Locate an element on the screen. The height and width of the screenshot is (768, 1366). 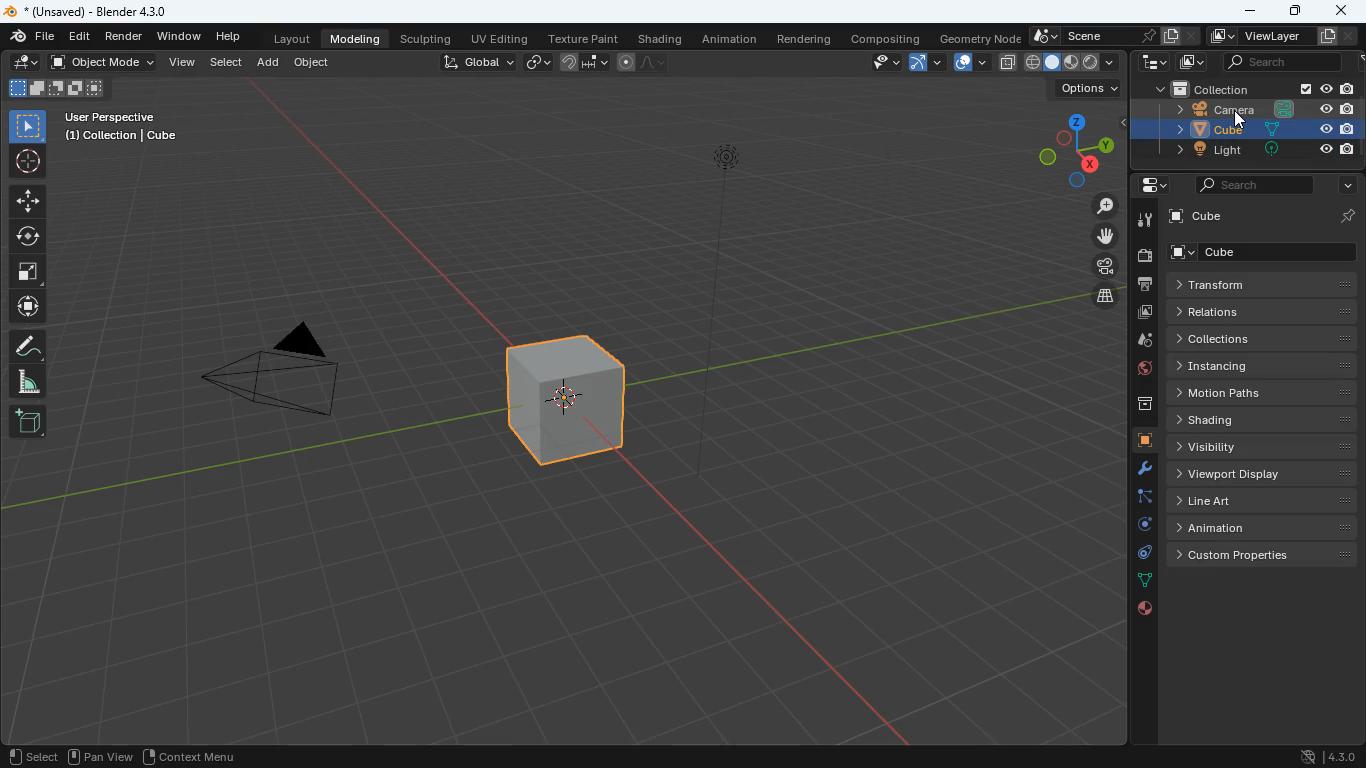
scene is located at coordinates (1095, 36).